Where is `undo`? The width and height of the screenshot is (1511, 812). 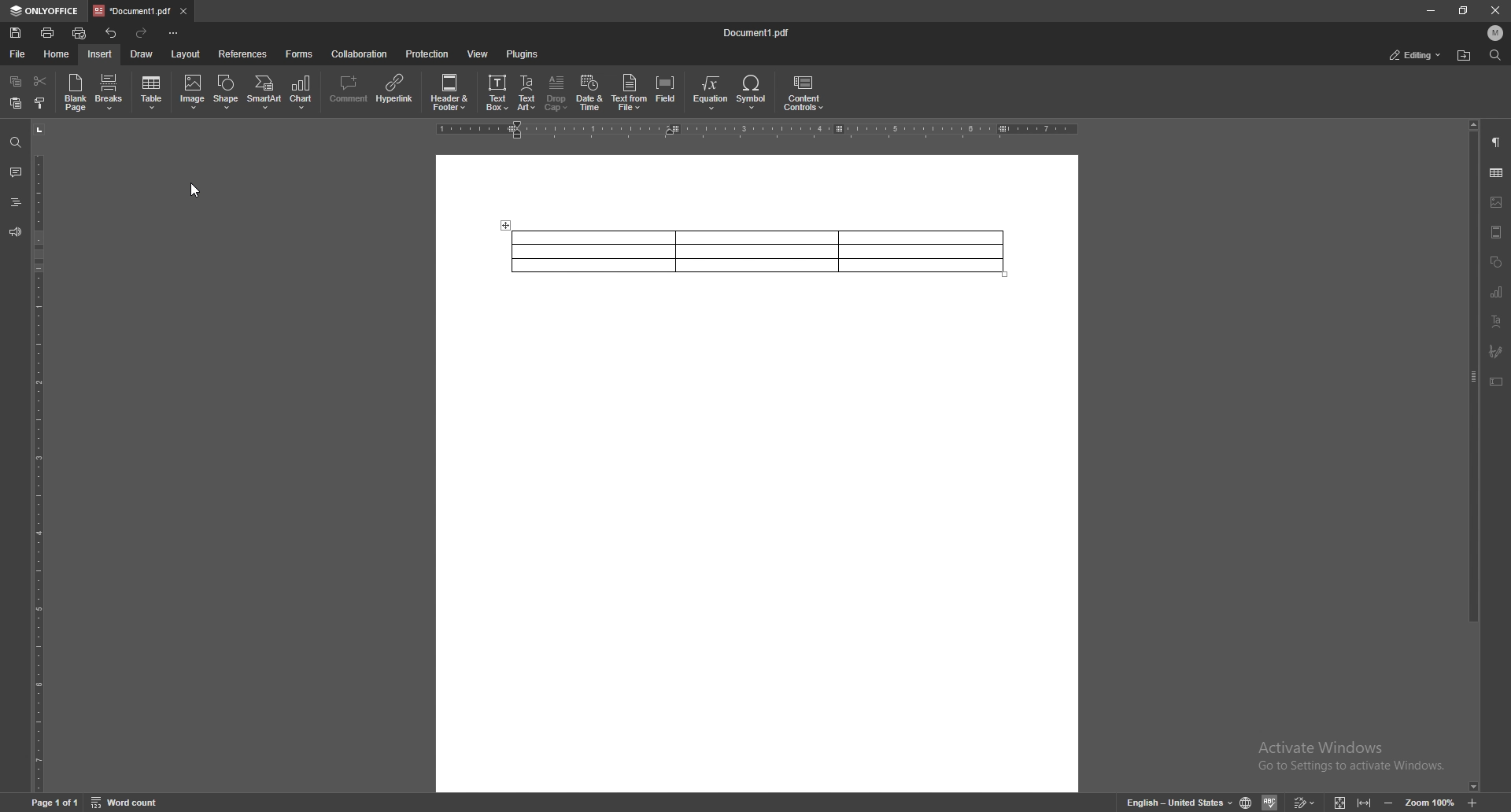 undo is located at coordinates (113, 32).